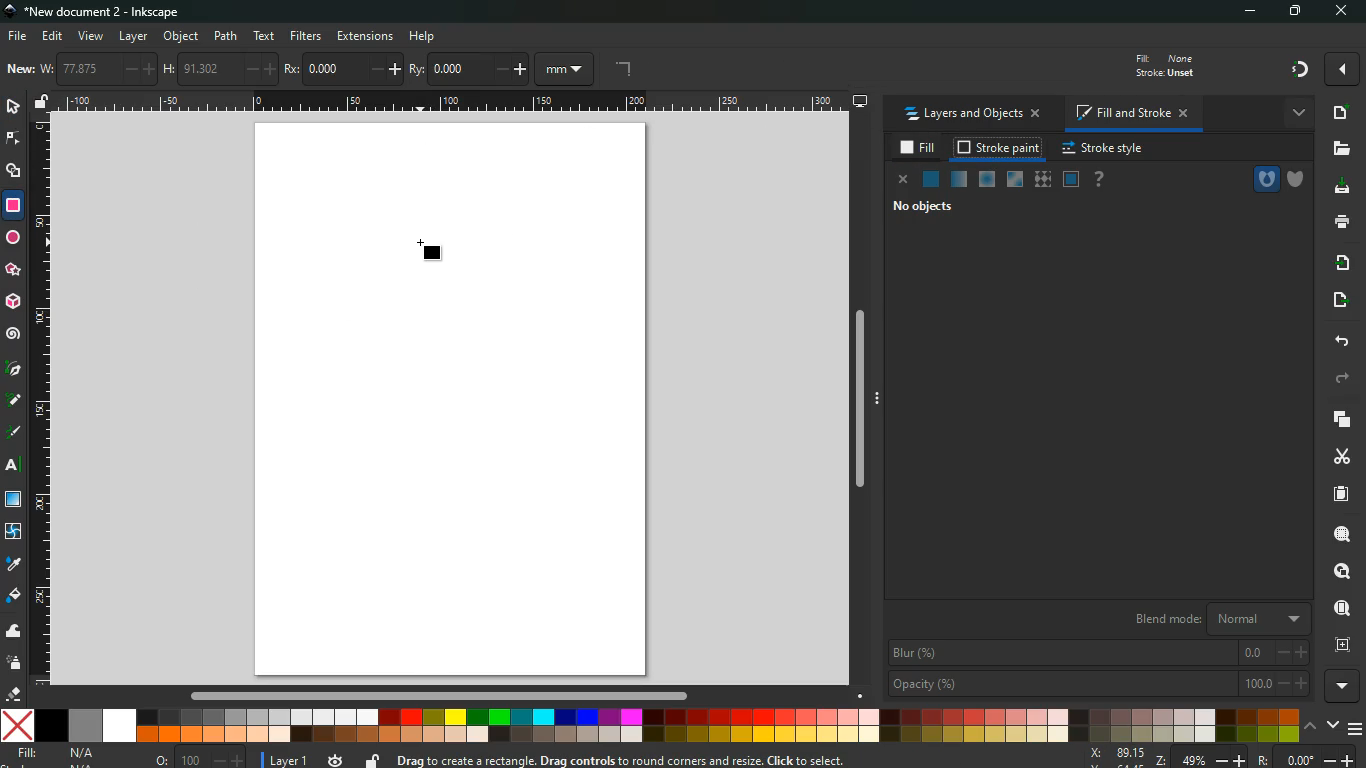  Describe the element at coordinates (333, 759) in the screenshot. I see `time` at that location.